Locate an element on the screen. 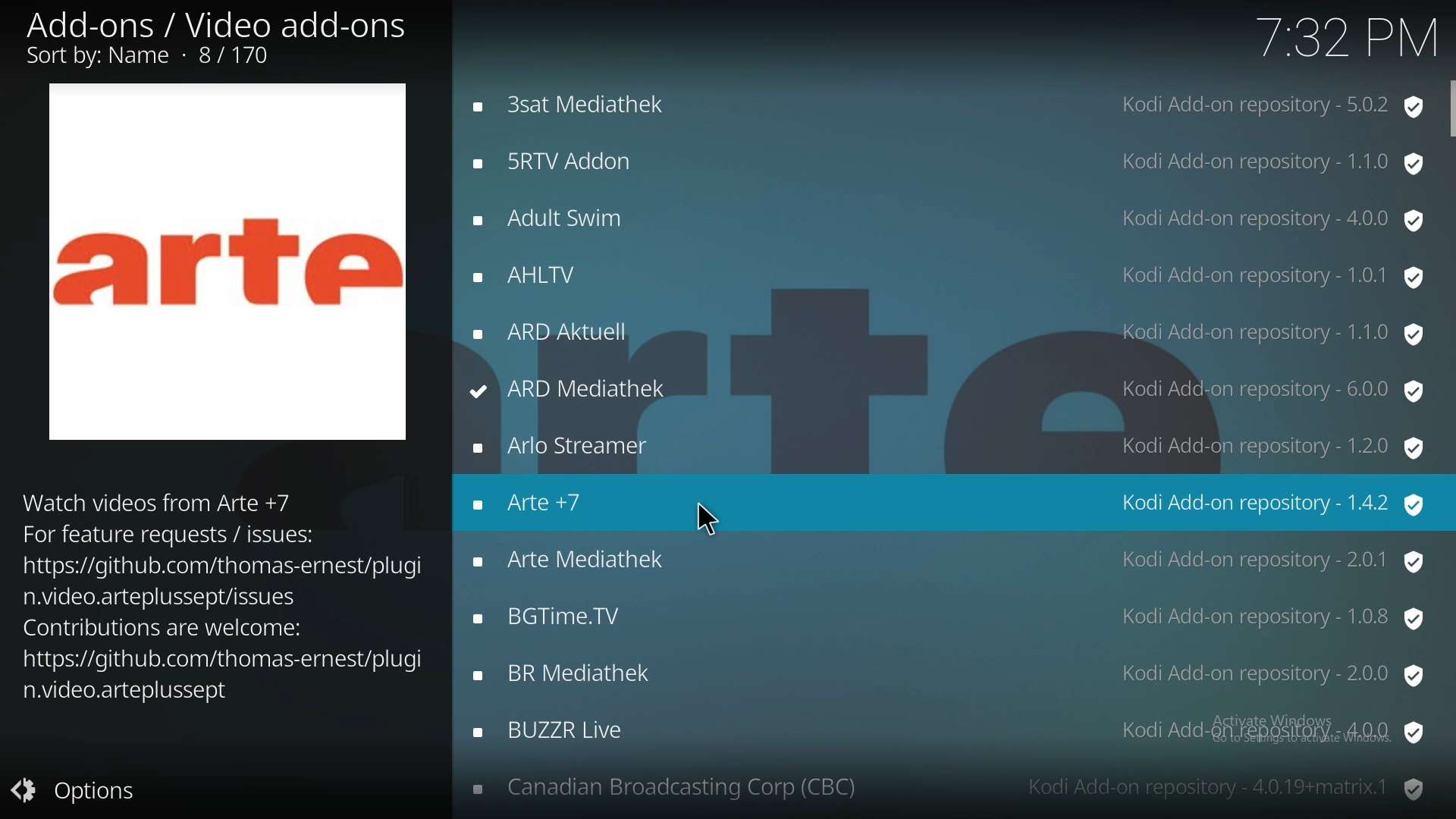 The width and height of the screenshot is (1456, 819). options is located at coordinates (82, 792).